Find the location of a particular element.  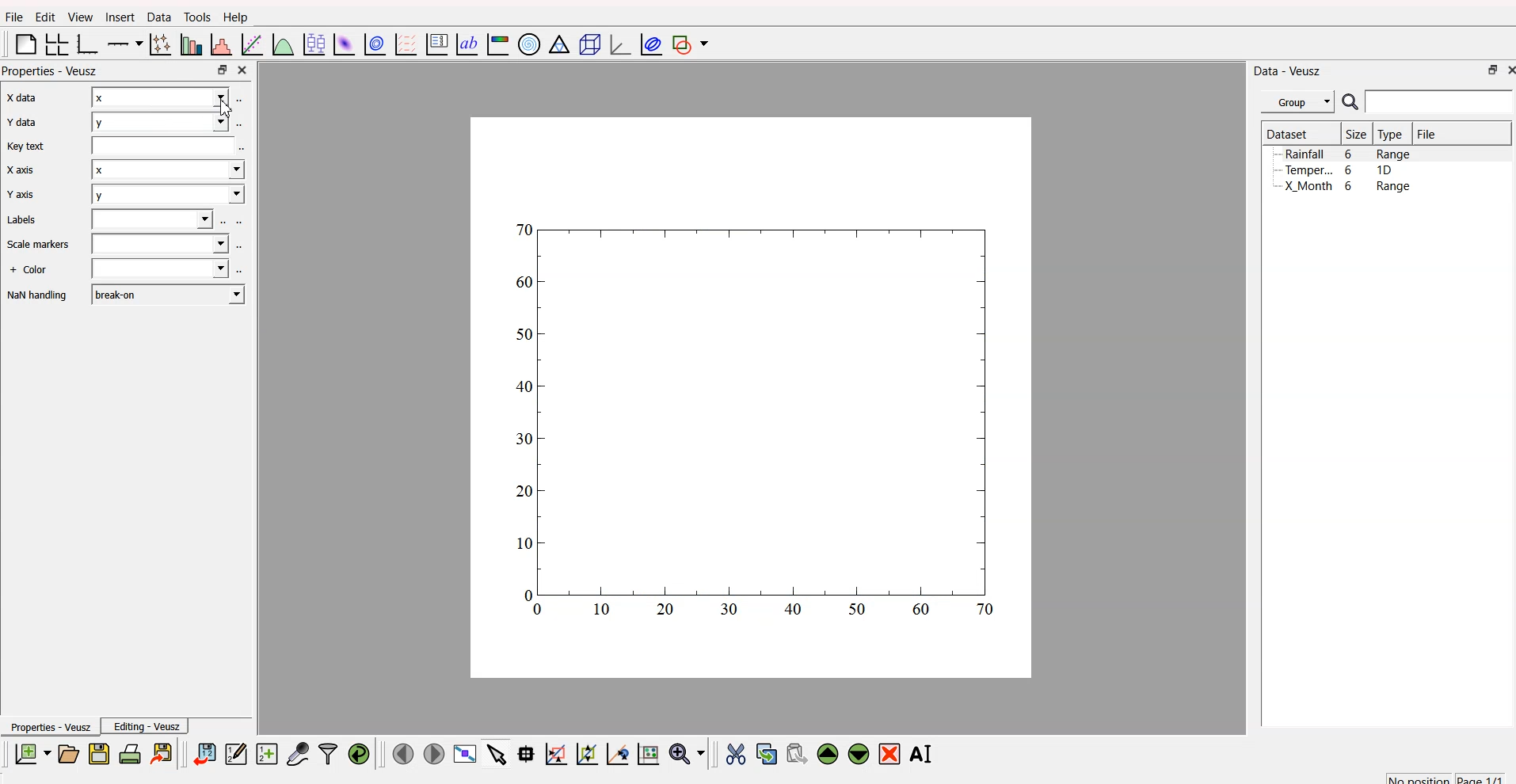

add shape to plot is located at coordinates (693, 45).